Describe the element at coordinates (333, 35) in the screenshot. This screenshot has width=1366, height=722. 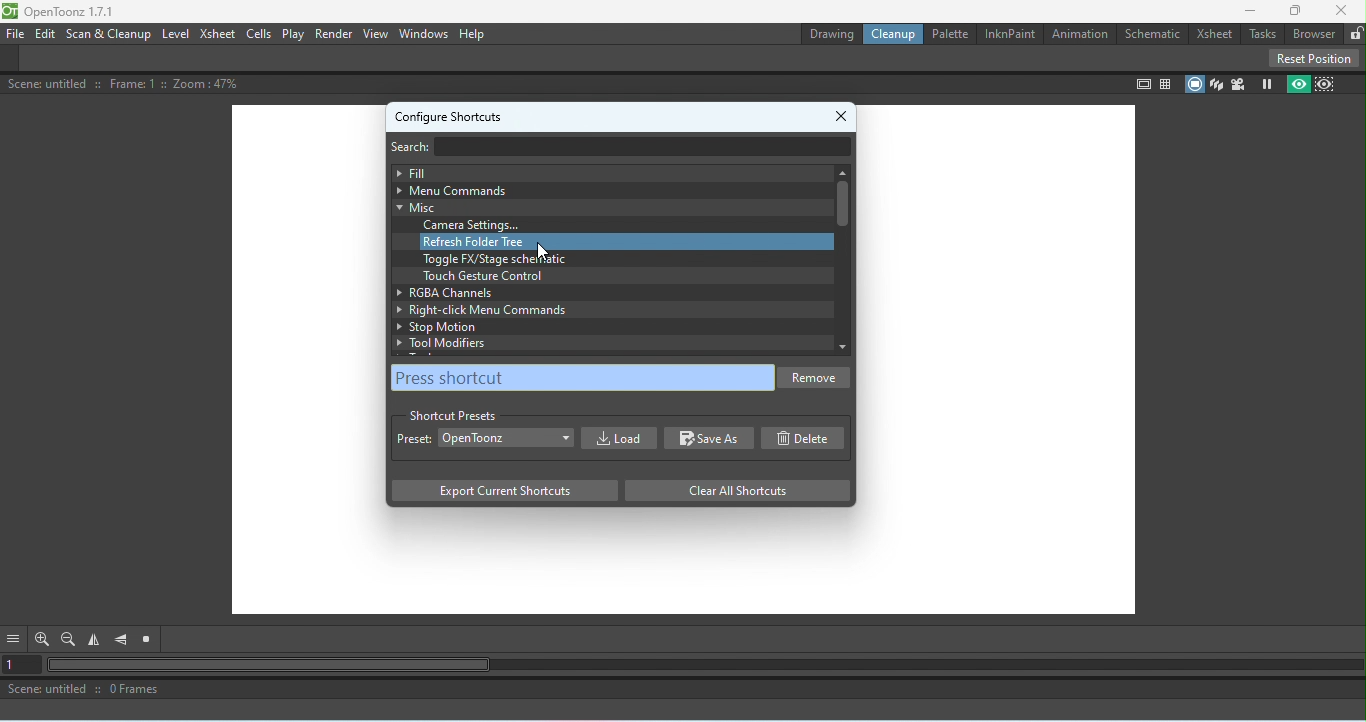
I see `Render` at that location.